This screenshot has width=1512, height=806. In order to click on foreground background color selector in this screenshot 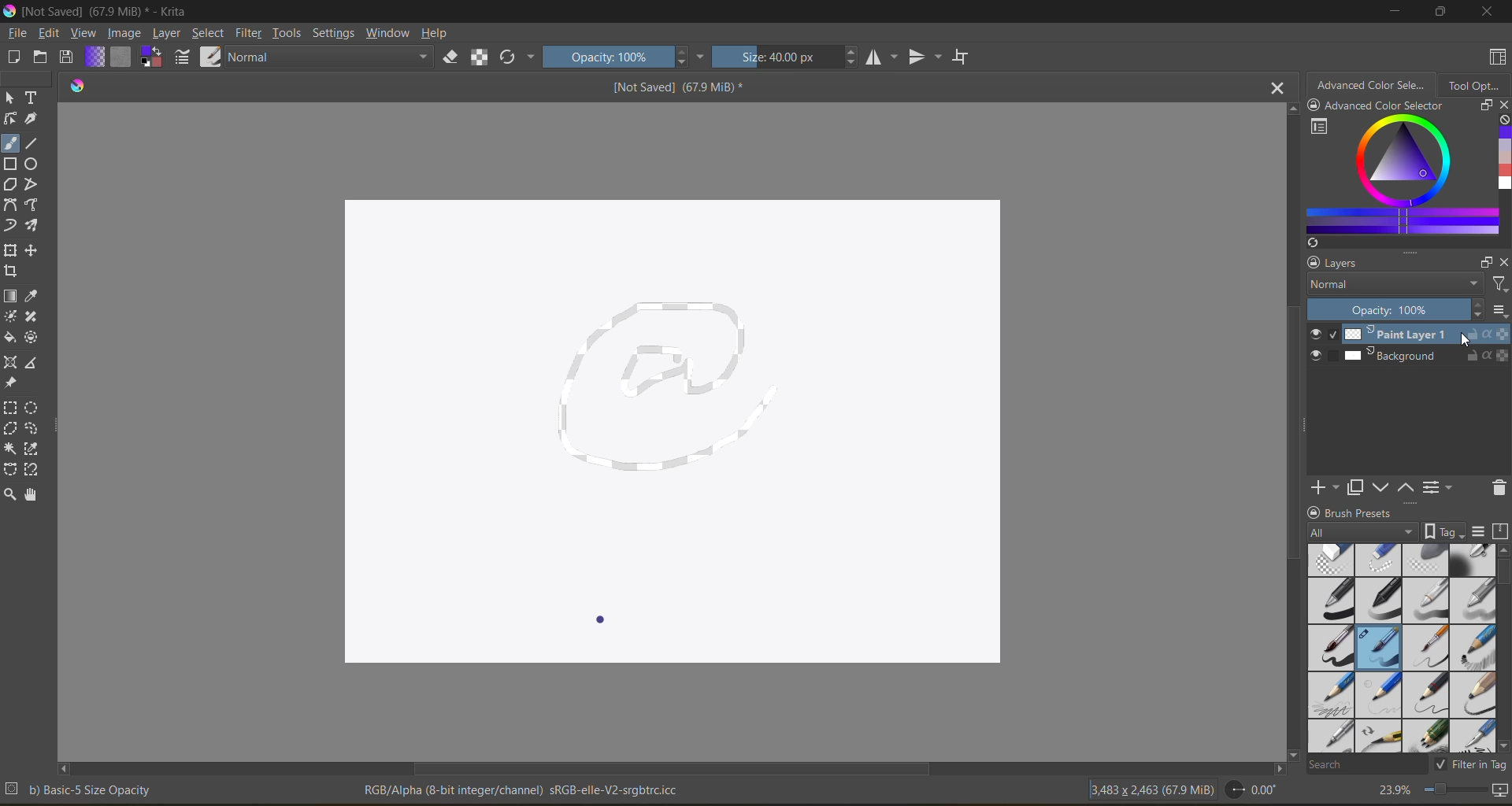, I will do `click(152, 58)`.